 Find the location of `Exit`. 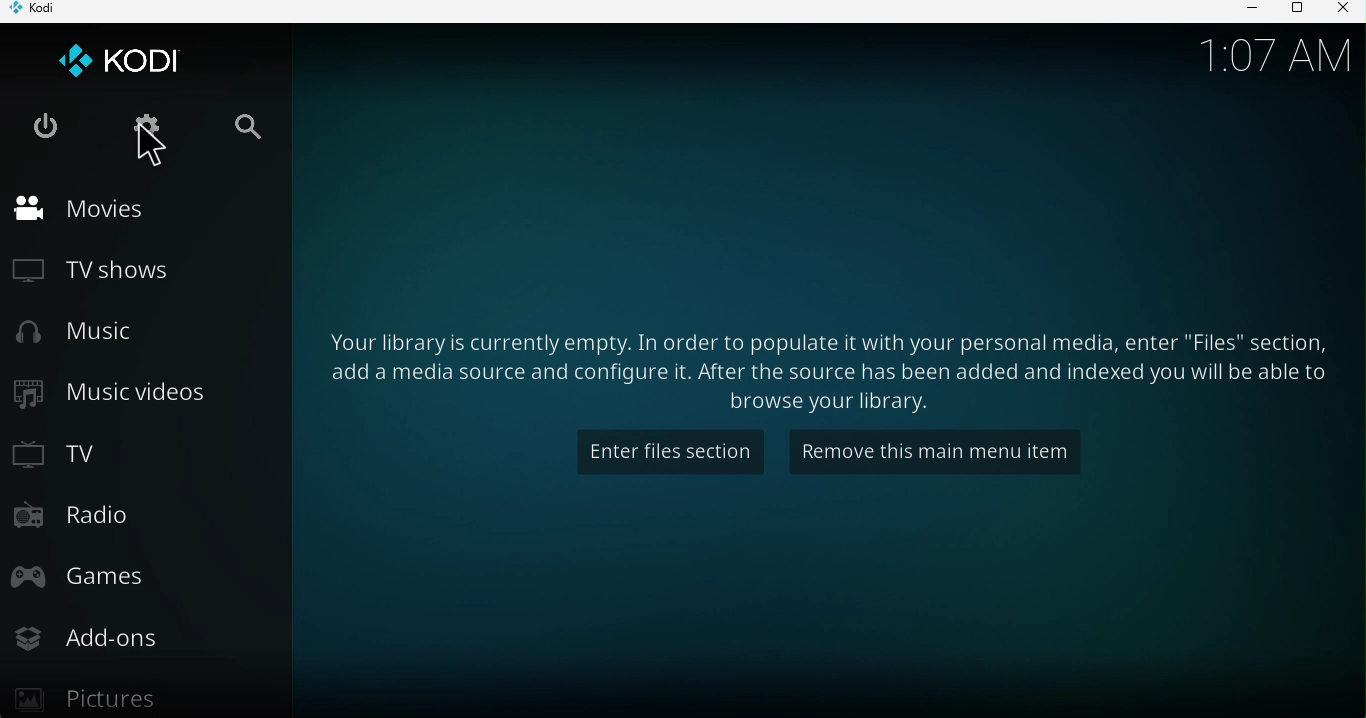

Exit is located at coordinates (40, 125).